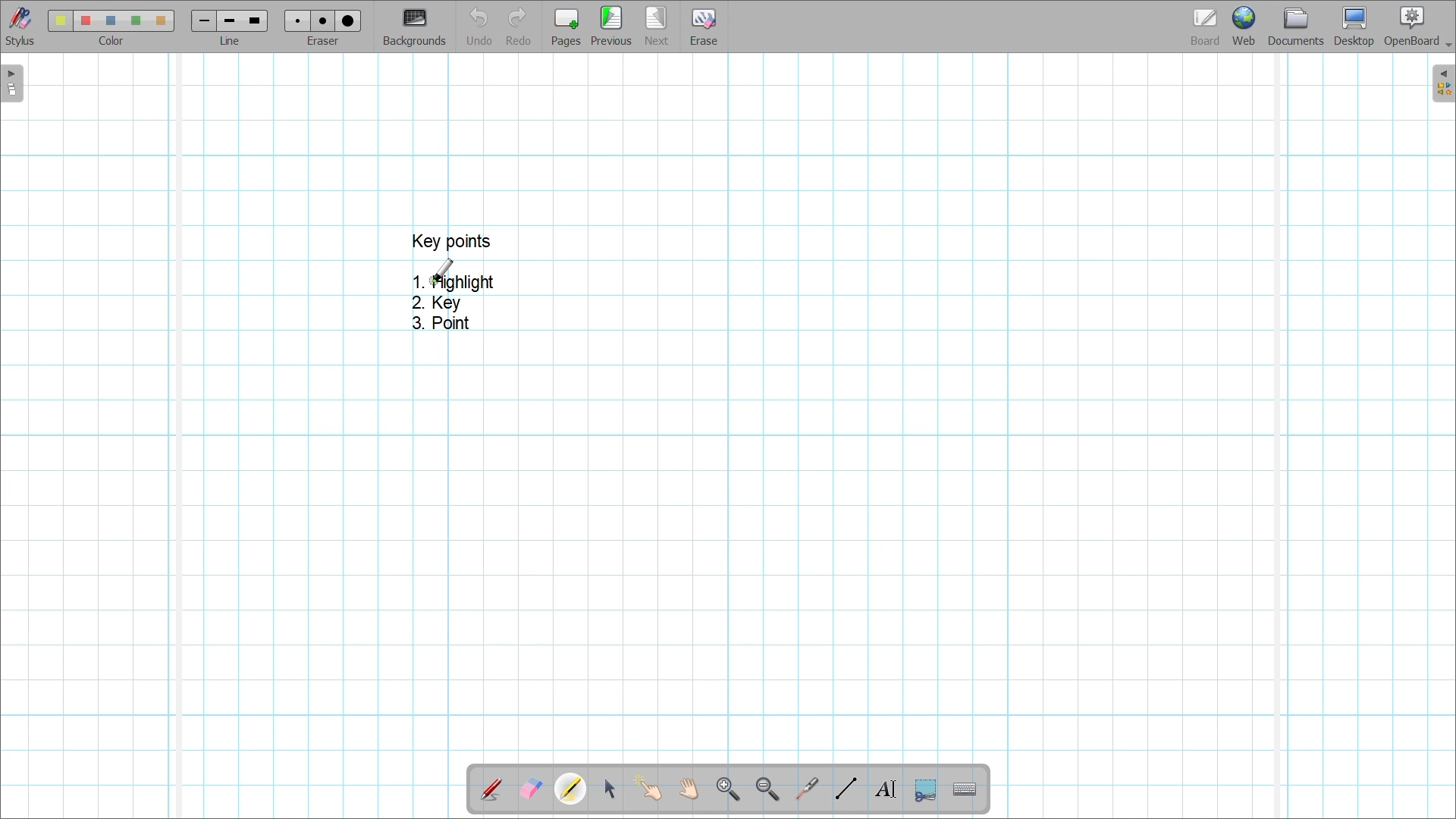 The image size is (1456, 819). I want to click on Annotate document, so click(491, 790).